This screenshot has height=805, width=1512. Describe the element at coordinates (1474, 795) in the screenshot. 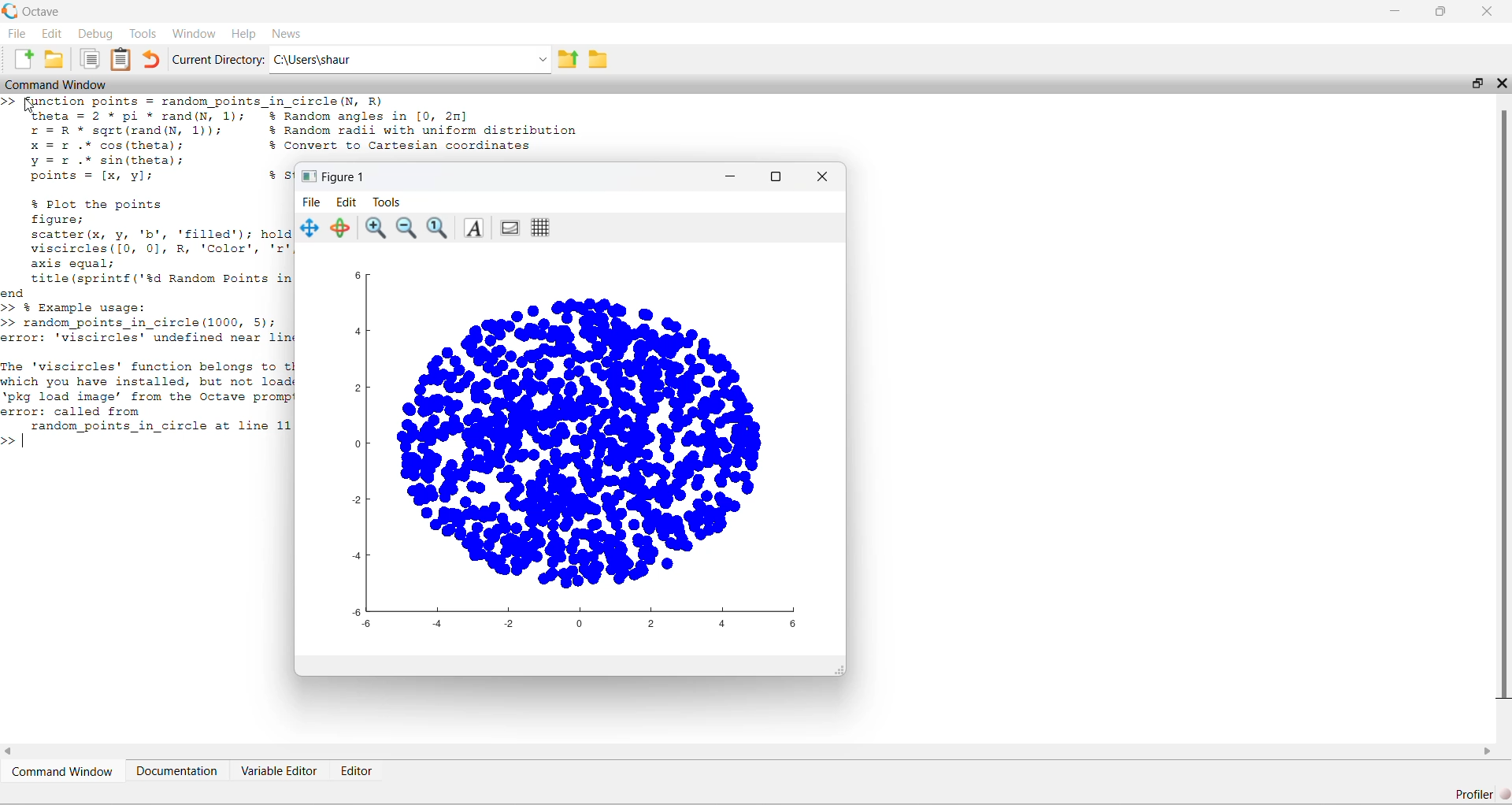

I see `Profiler` at that location.